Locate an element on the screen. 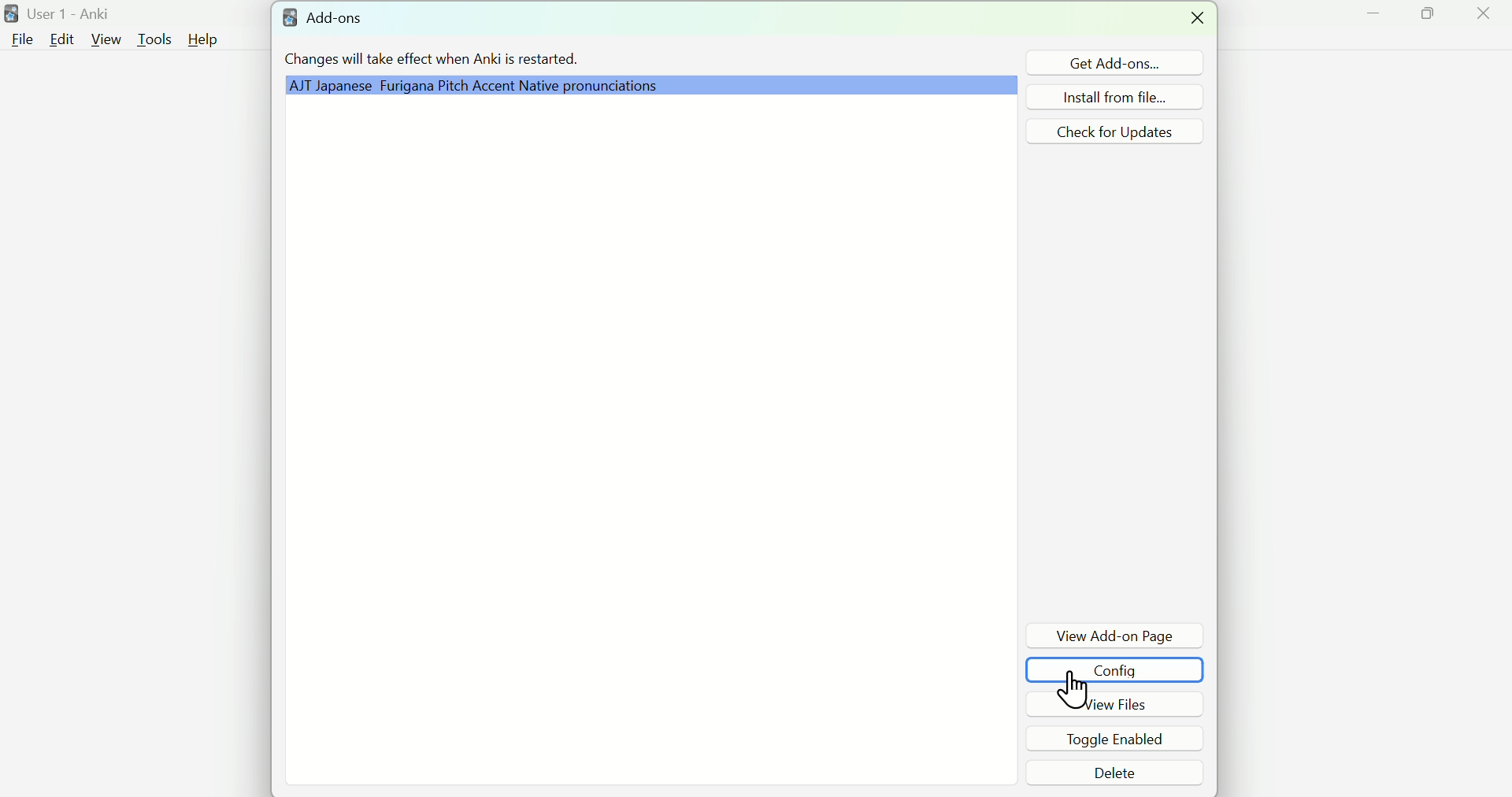  Check for Updates is located at coordinates (1118, 132).